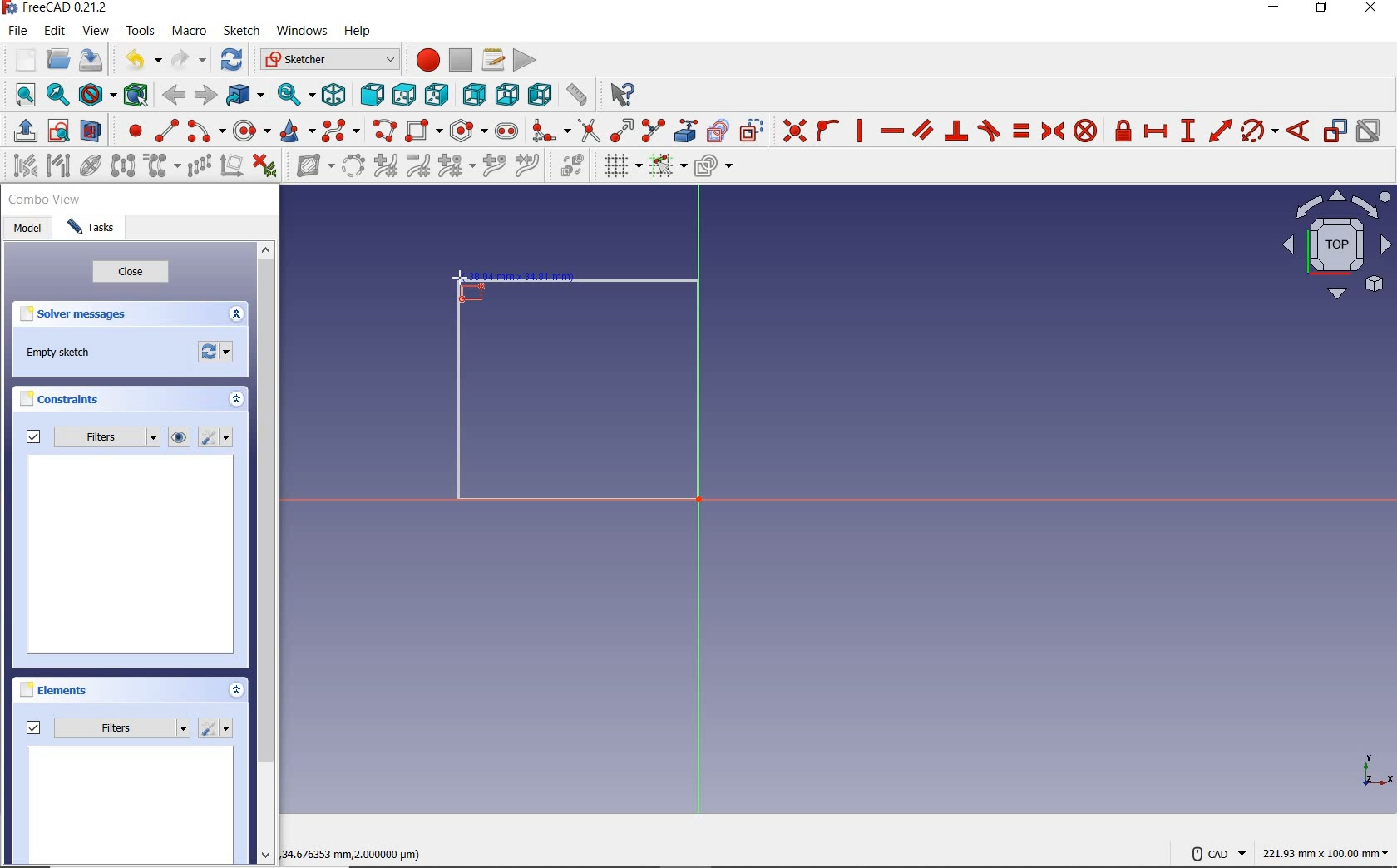 The image size is (1397, 868). What do you see at coordinates (198, 166) in the screenshot?
I see `rectangular array` at bounding box center [198, 166].